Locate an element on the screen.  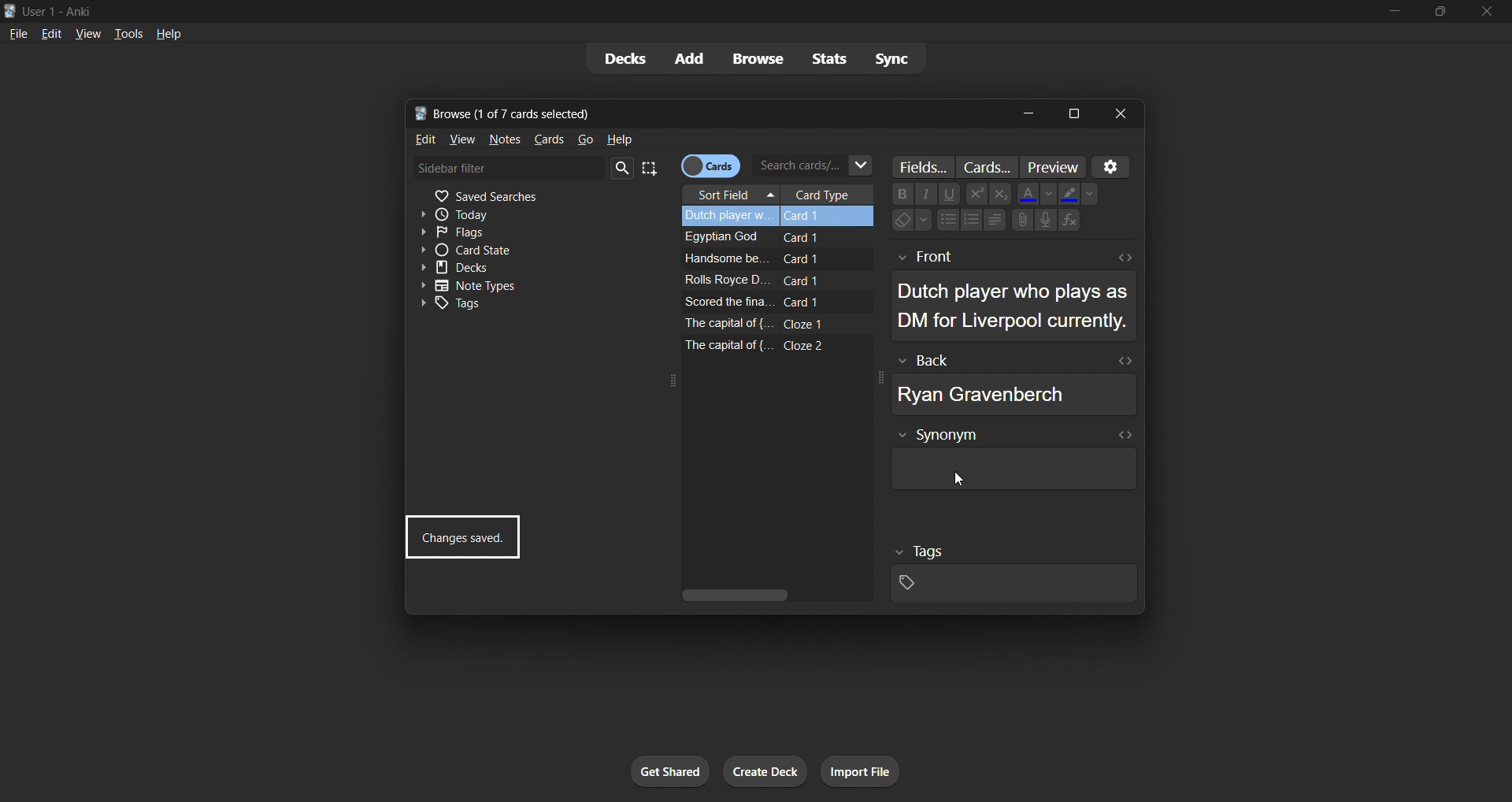
saved searches is located at coordinates (536, 195).